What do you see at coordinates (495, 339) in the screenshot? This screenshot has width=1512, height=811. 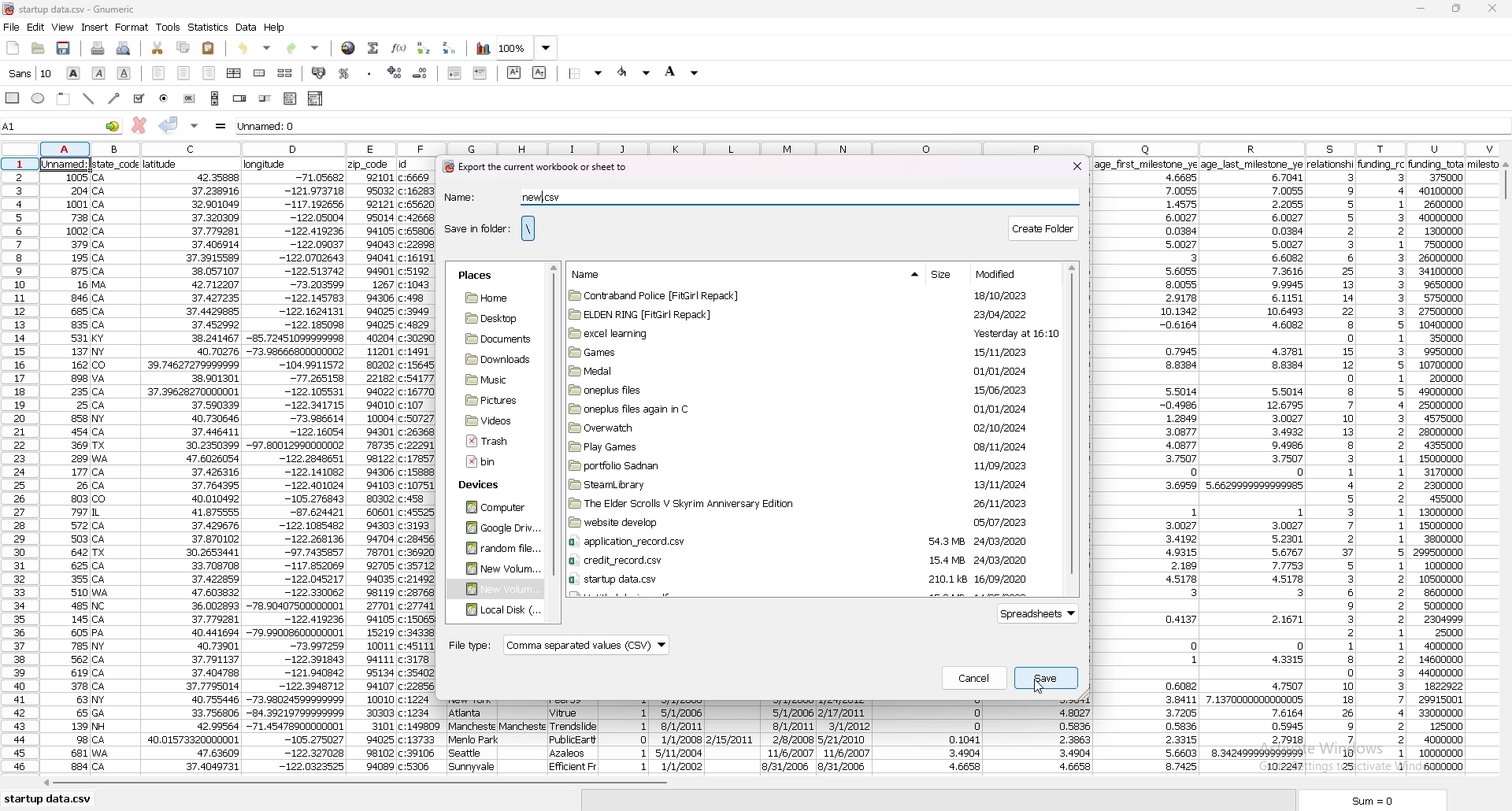 I see `folder` at bounding box center [495, 339].